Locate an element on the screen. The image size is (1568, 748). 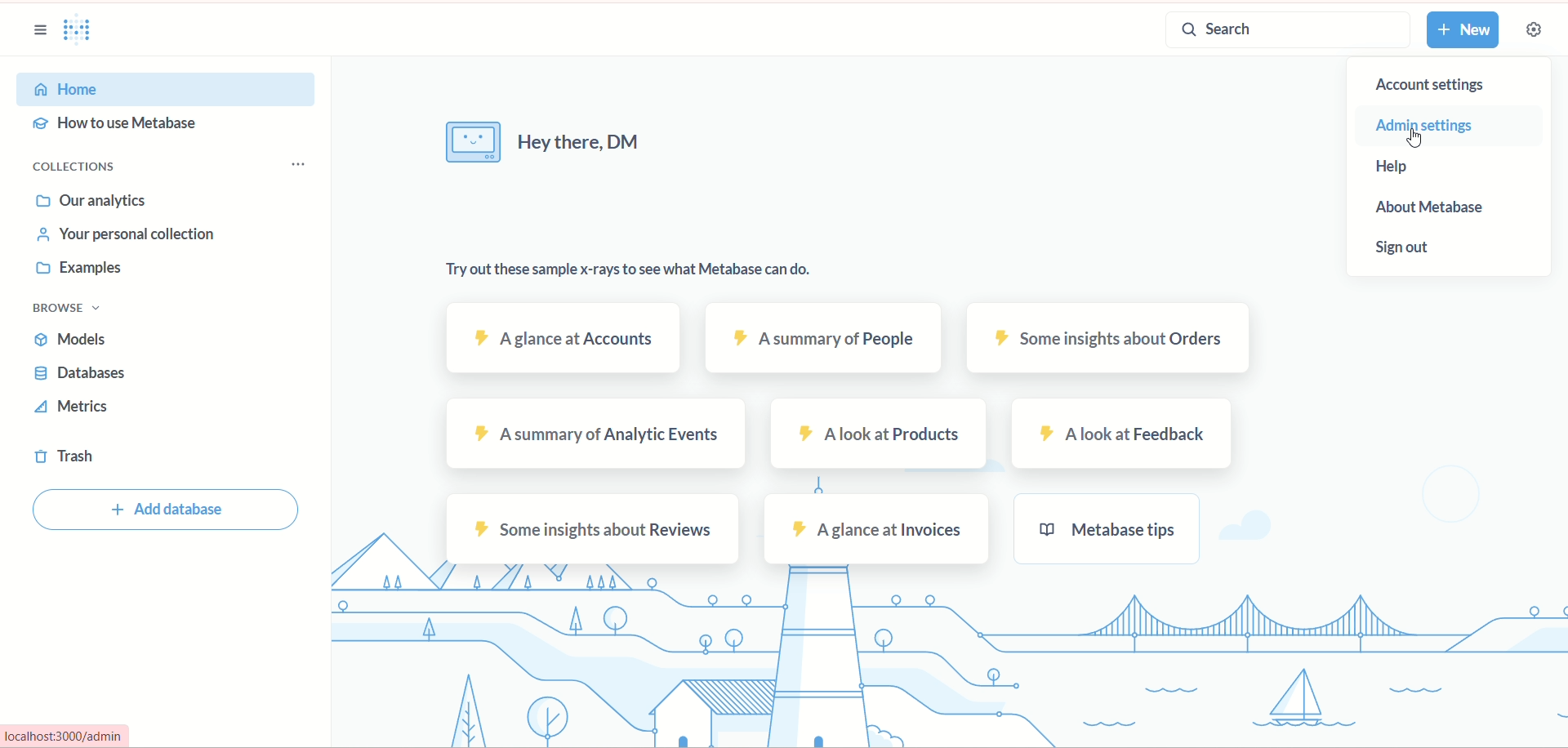
logo is located at coordinates (86, 32).